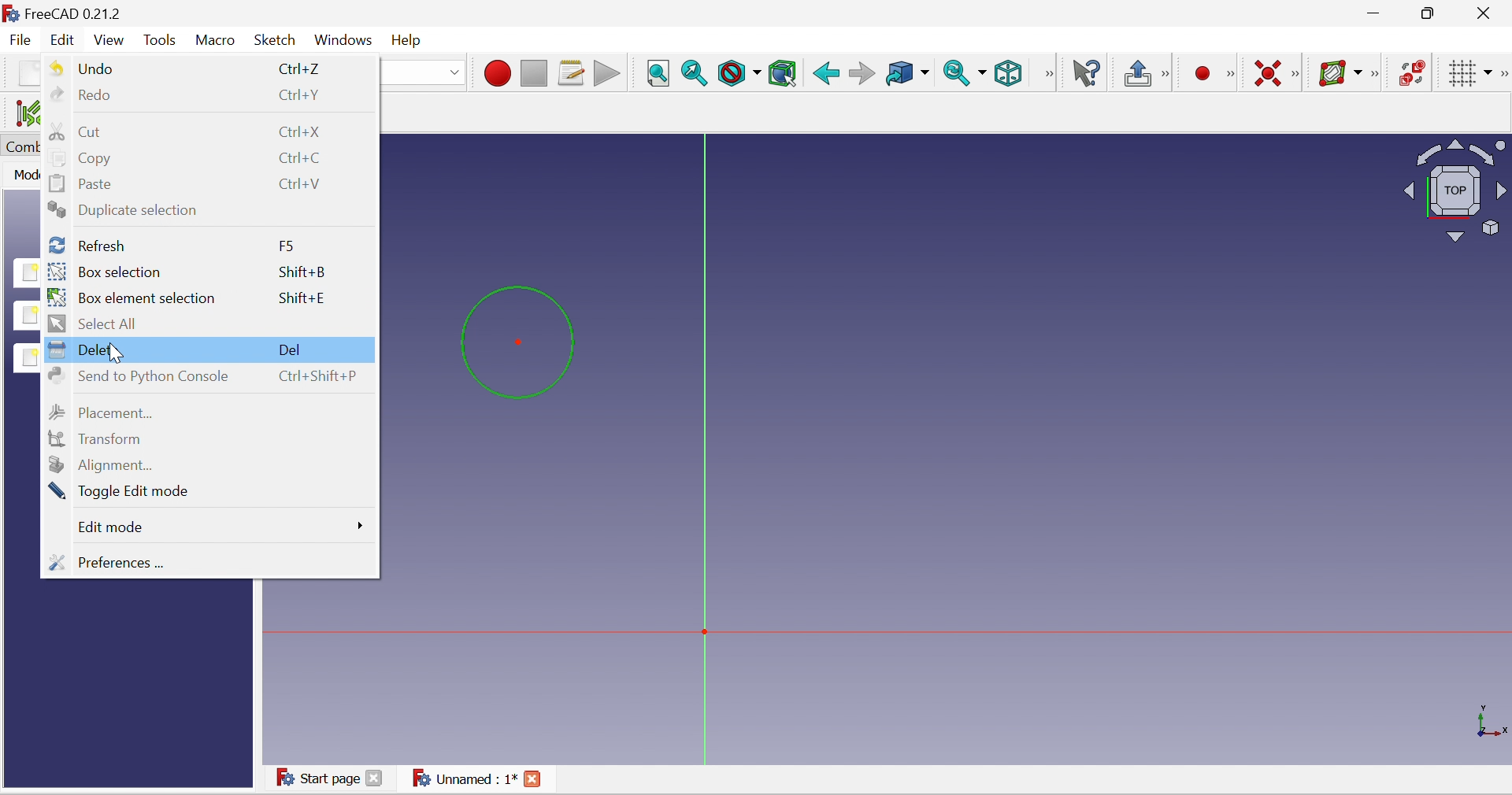  I want to click on What's this?, so click(1089, 73).